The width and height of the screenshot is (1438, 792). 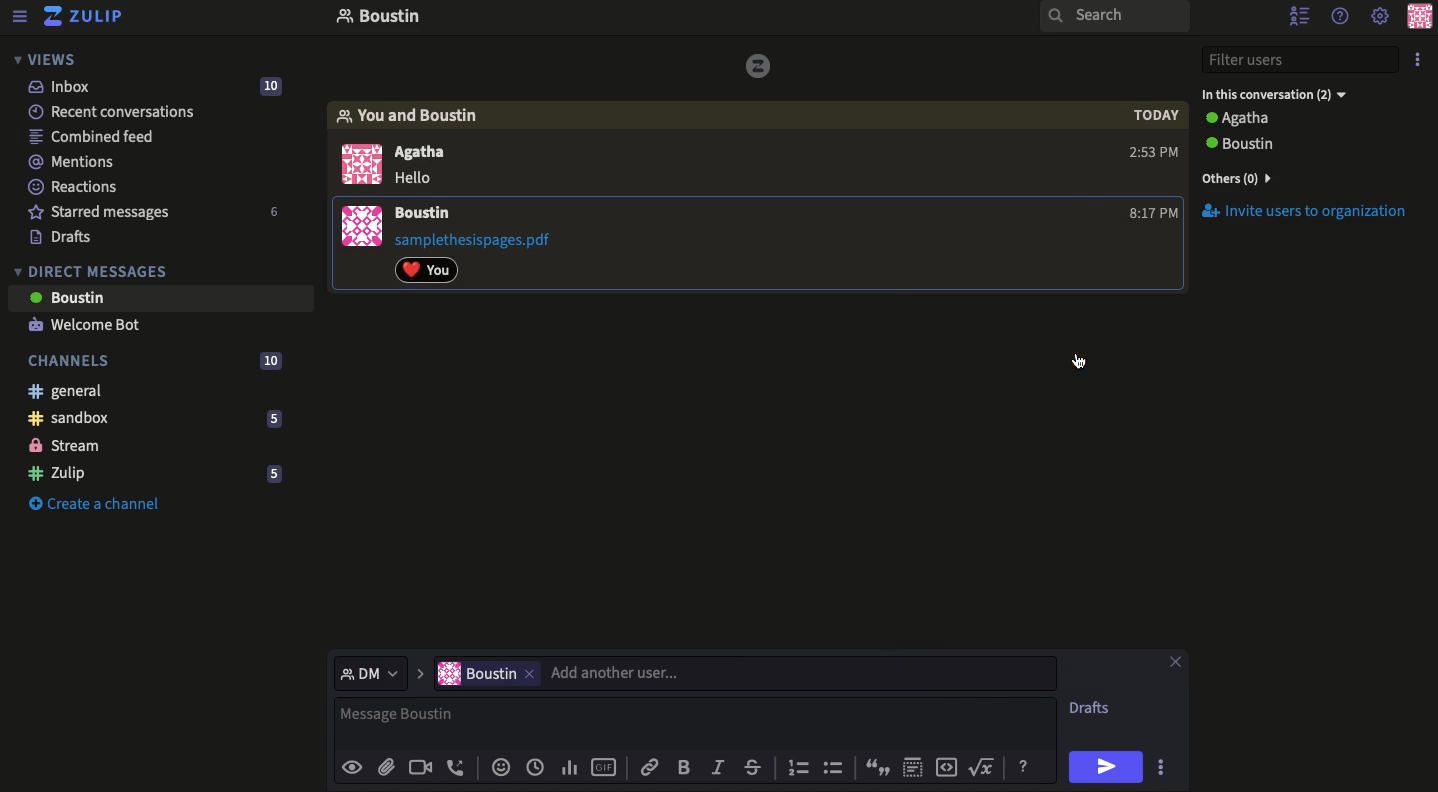 What do you see at coordinates (530, 674) in the screenshot?
I see `remove` at bounding box center [530, 674].